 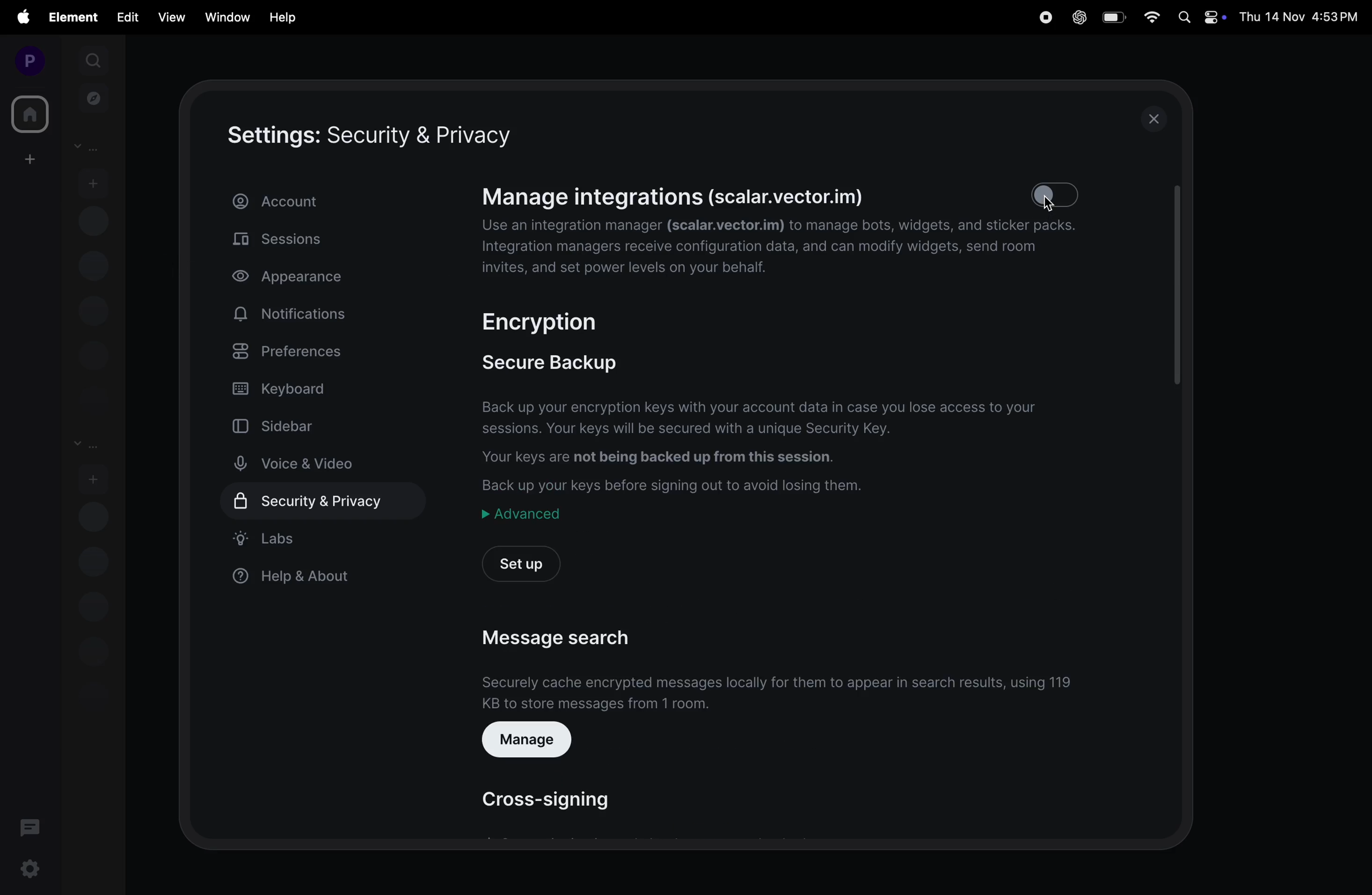 I want to click on sessions, so click(x=278, y=240).